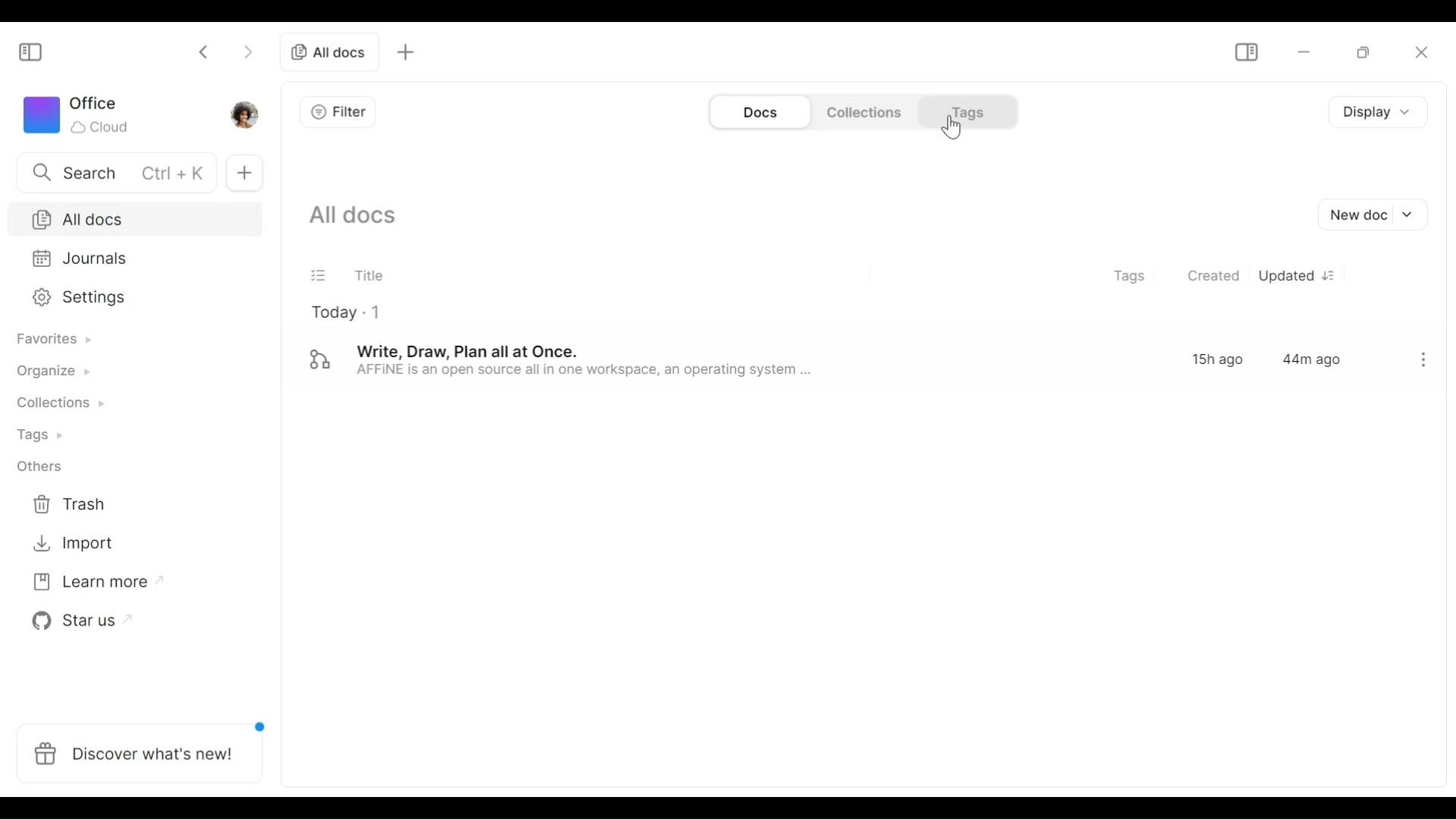 The height and width of the screenshot is (819, 1456). Describe the element at coordinates (54, 340) in the screenshot. I see `Favorites` at that location.